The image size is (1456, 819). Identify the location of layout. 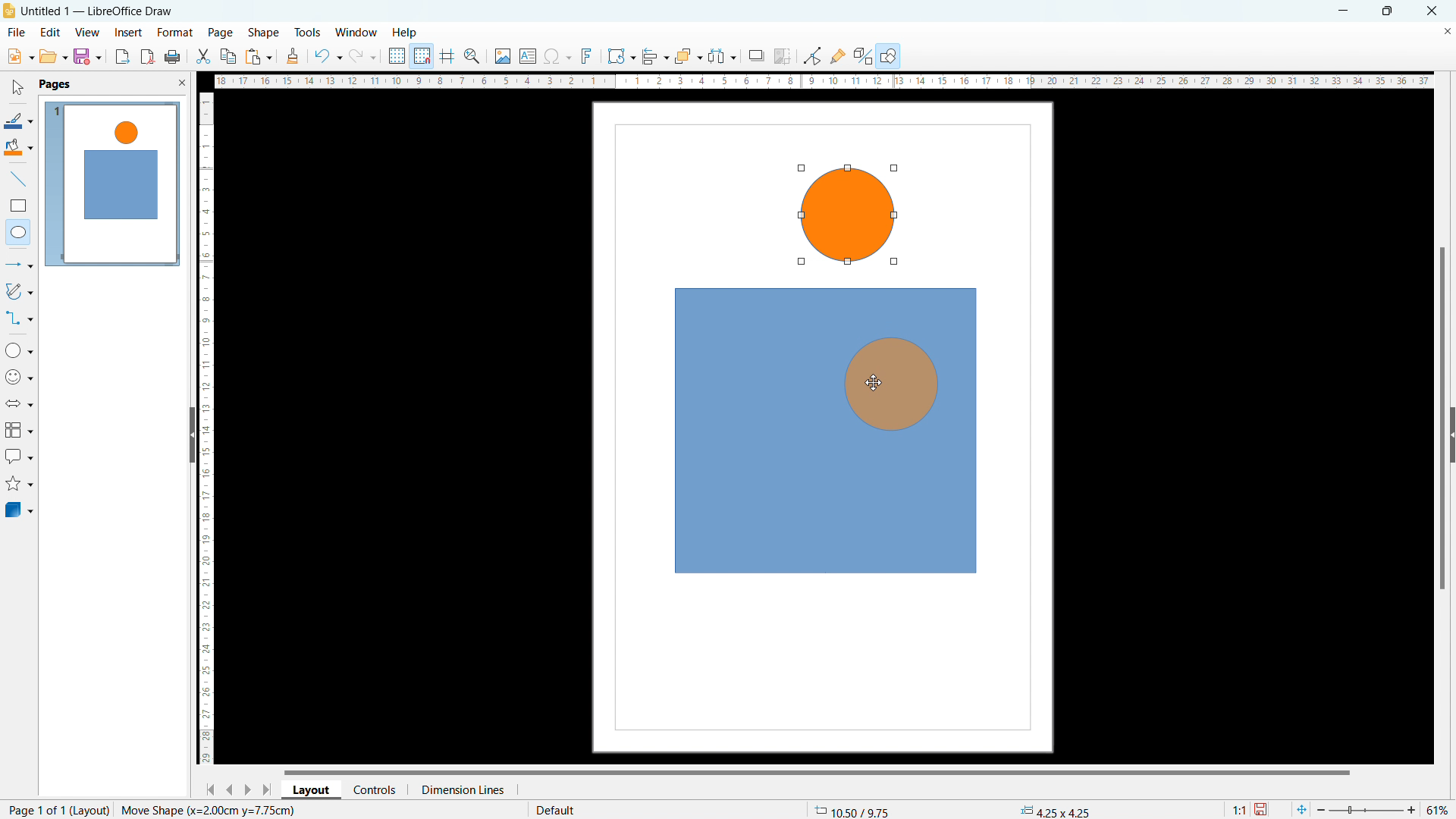
(91, 810).